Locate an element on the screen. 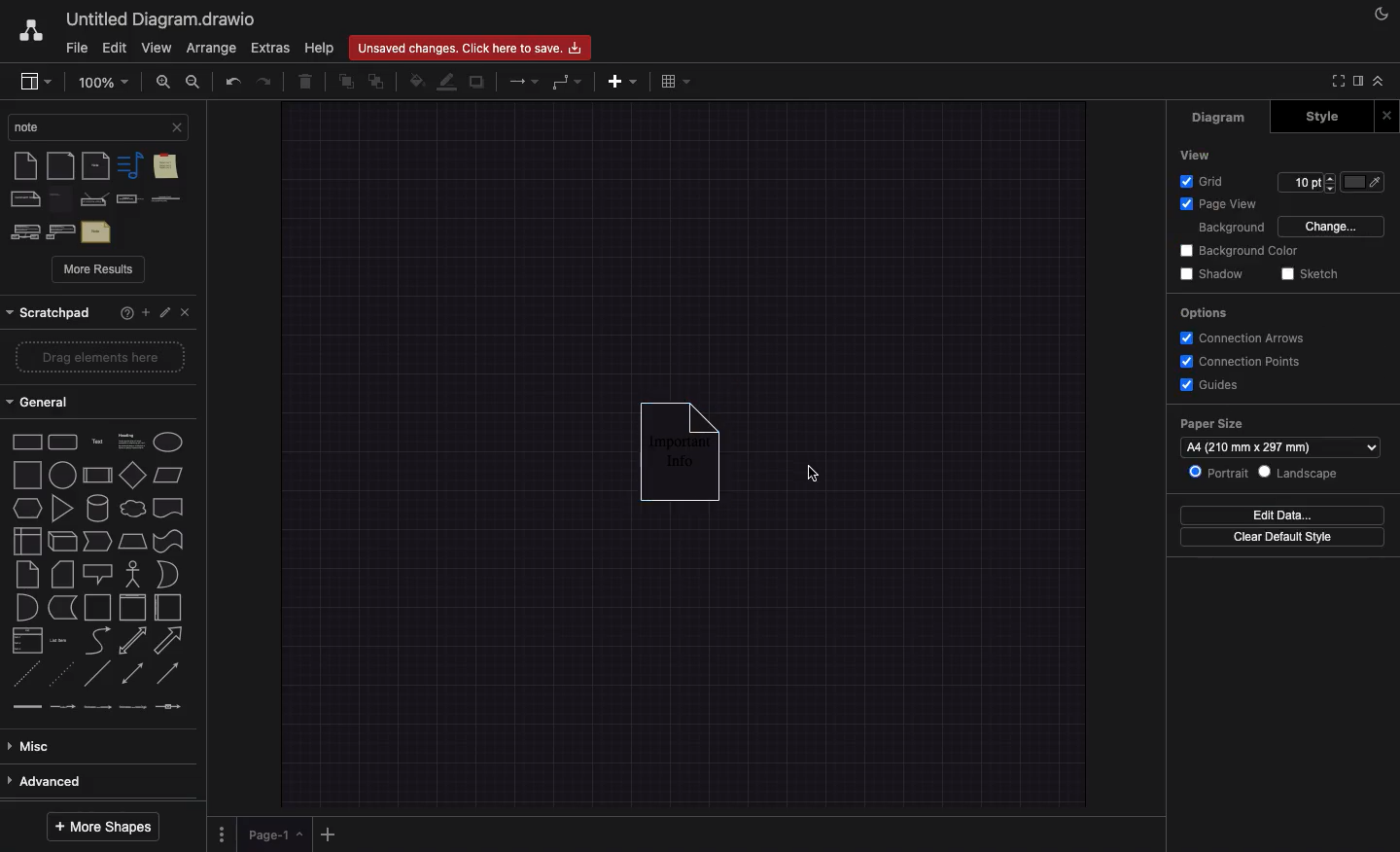  Draw.io logo is located at coordinates (33, 30).